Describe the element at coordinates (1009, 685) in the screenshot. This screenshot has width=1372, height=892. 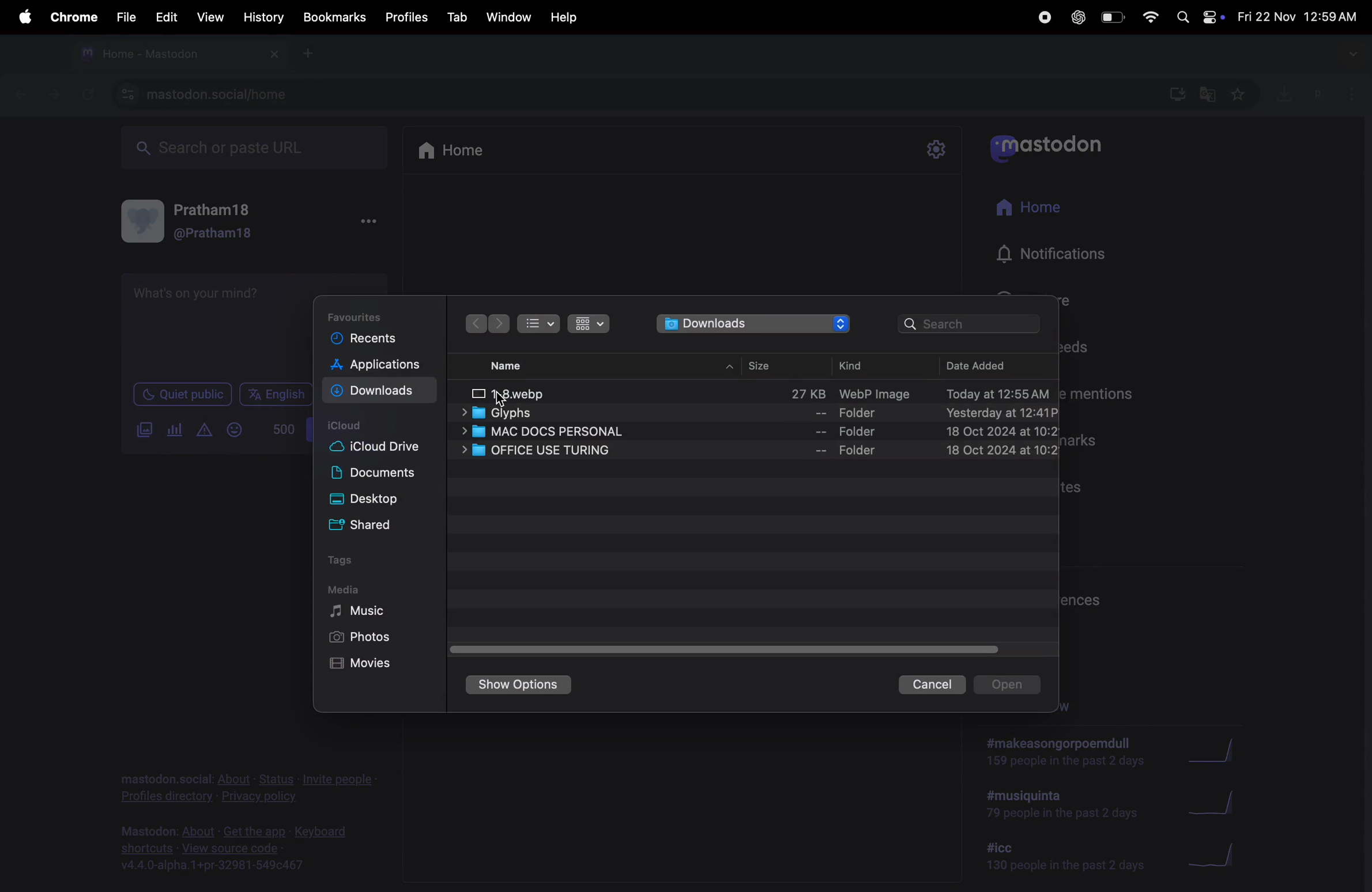
I see `open` at that location.